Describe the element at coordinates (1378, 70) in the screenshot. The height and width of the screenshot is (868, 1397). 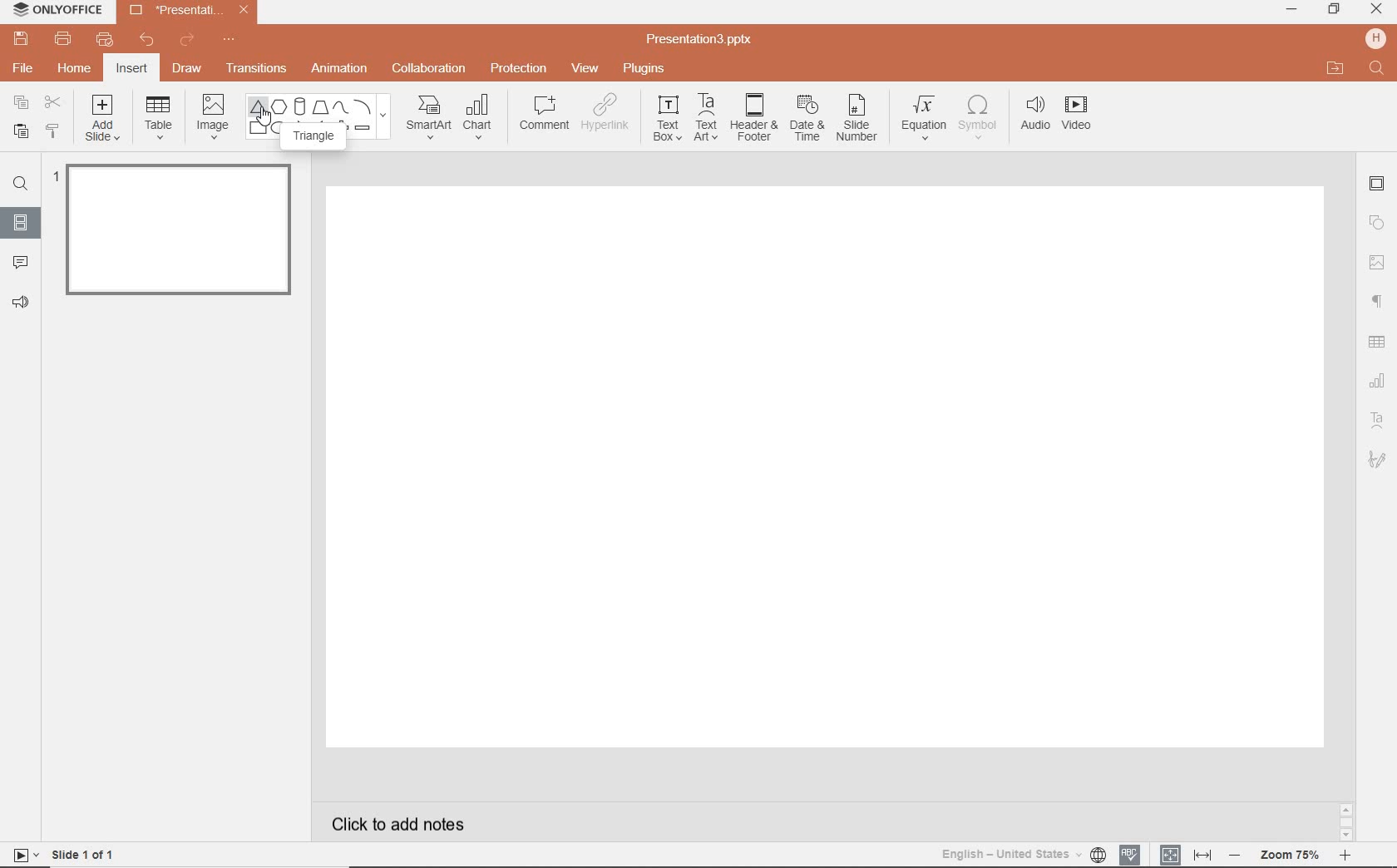
I see `FIND` at that location.